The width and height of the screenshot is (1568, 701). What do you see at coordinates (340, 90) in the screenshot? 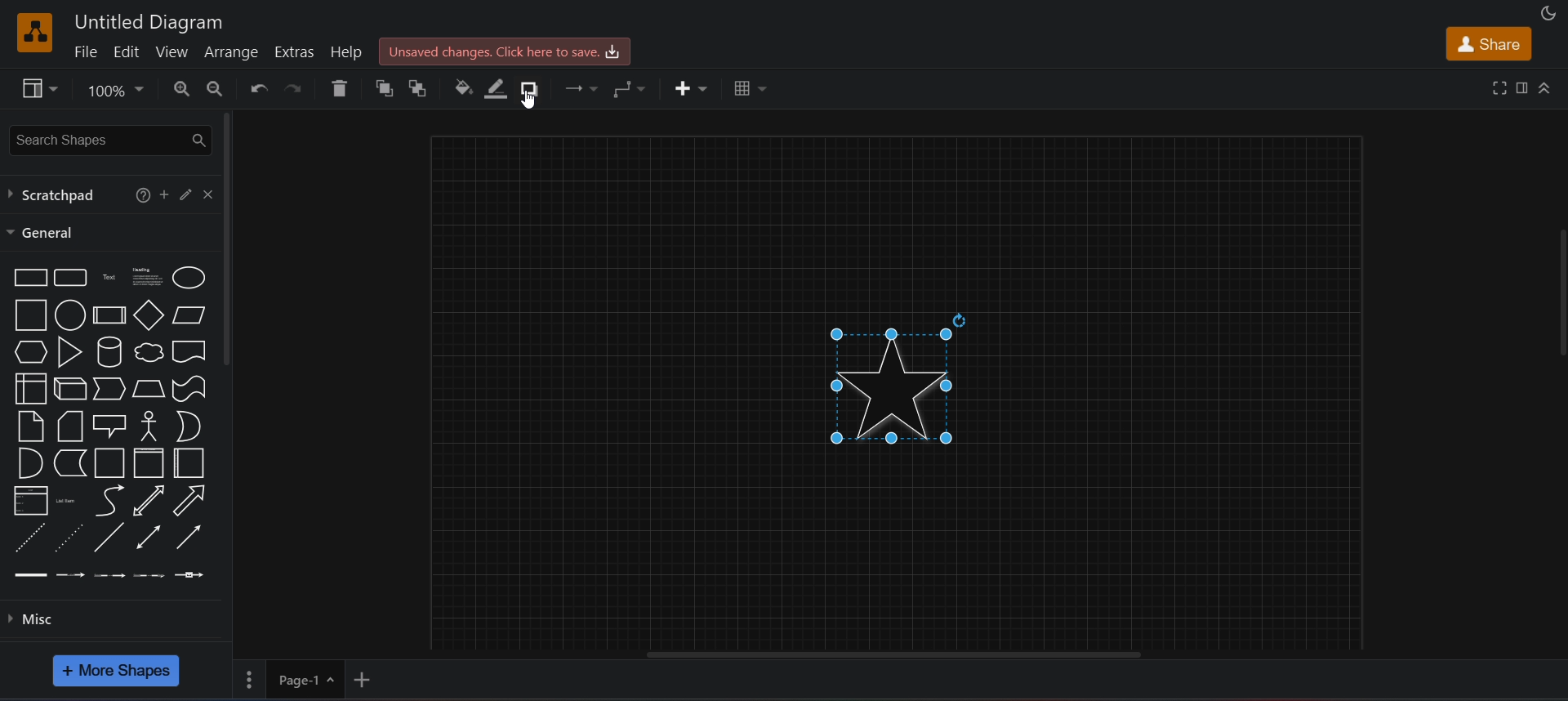
I see `delete` at bounding box center [340, 90].